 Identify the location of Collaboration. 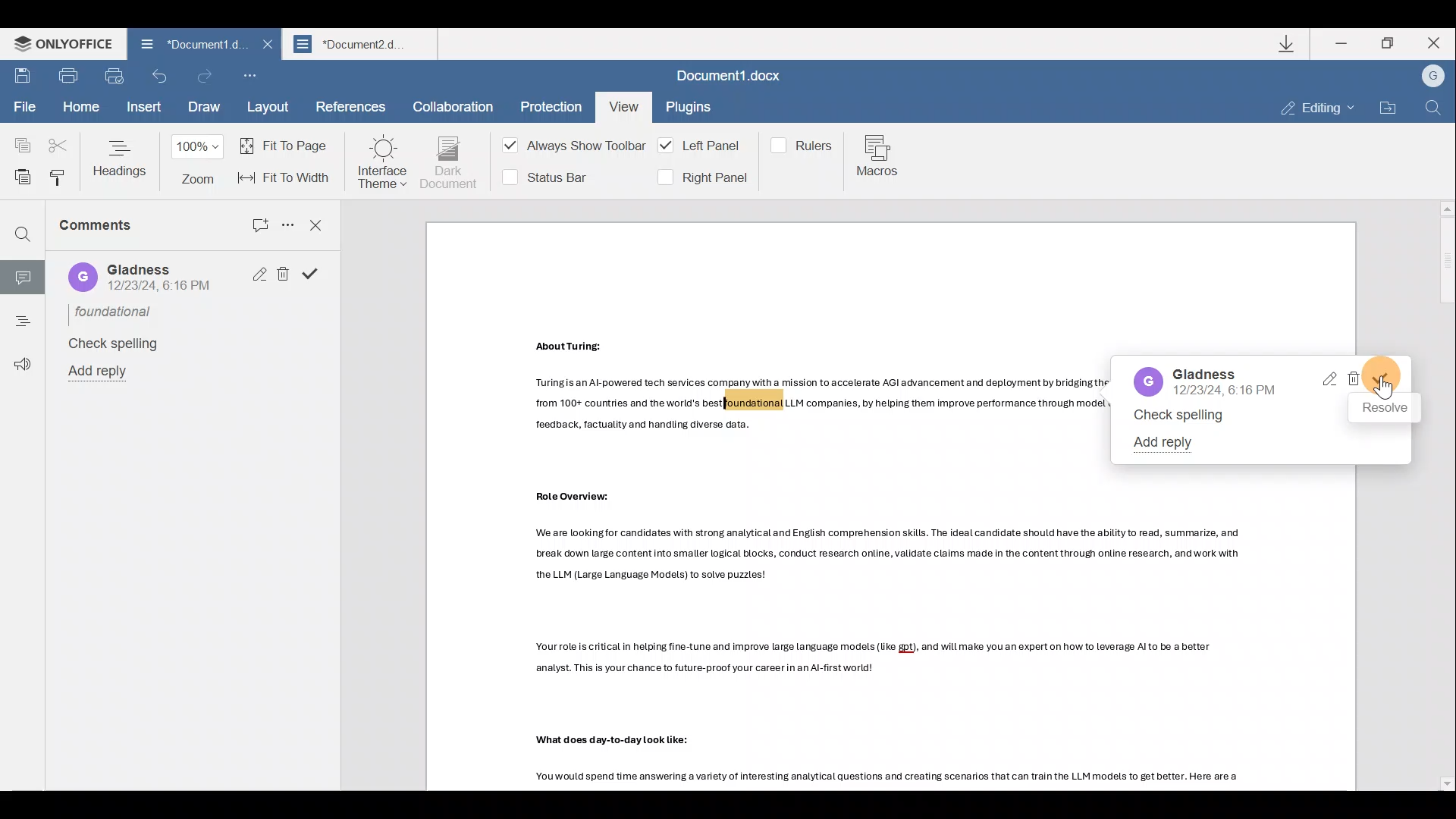
(453, 105).